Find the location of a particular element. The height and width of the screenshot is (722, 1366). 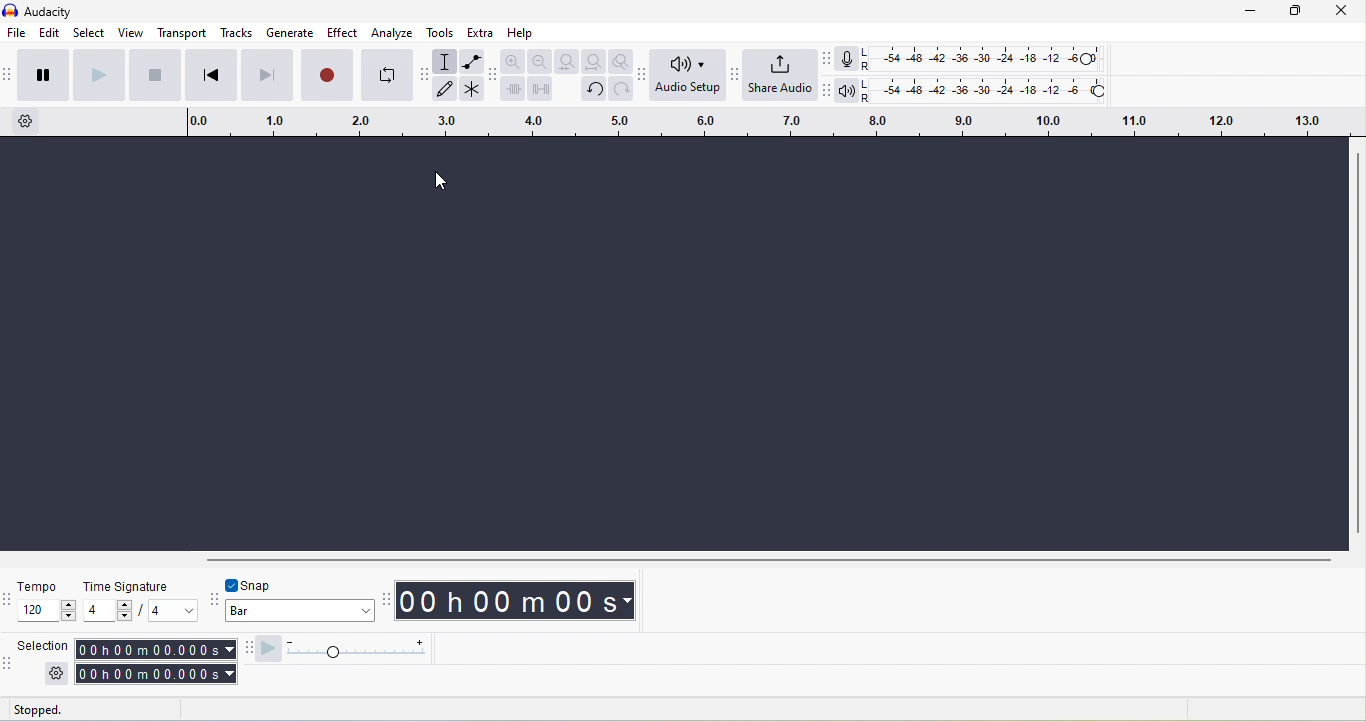

zoom in is located at coordinates (513, 63).